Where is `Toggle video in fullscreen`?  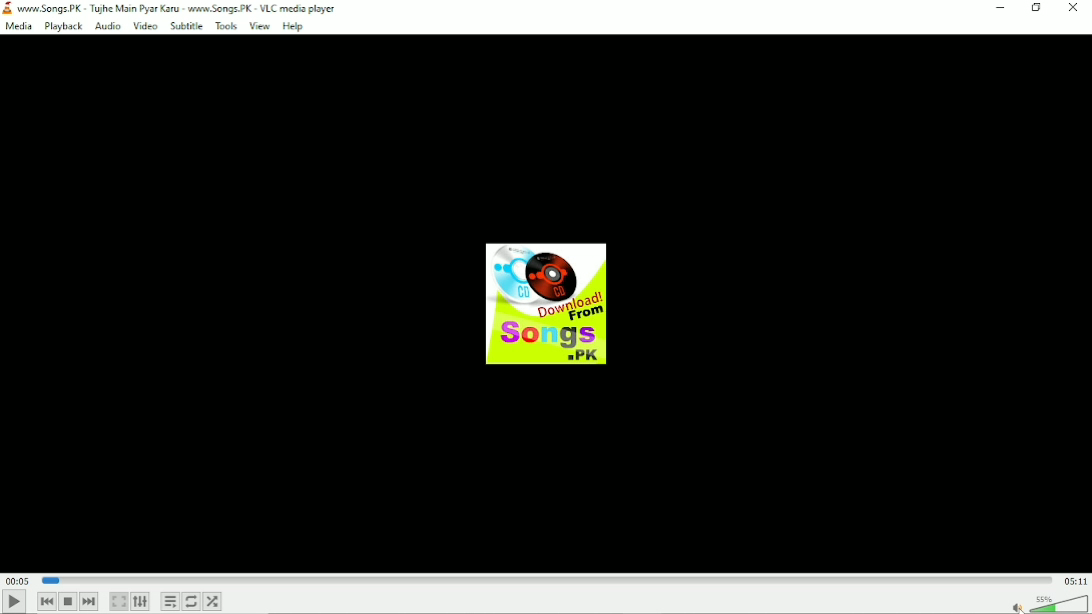 Toggle video in fullscreen is located at coordinates (119, 601).